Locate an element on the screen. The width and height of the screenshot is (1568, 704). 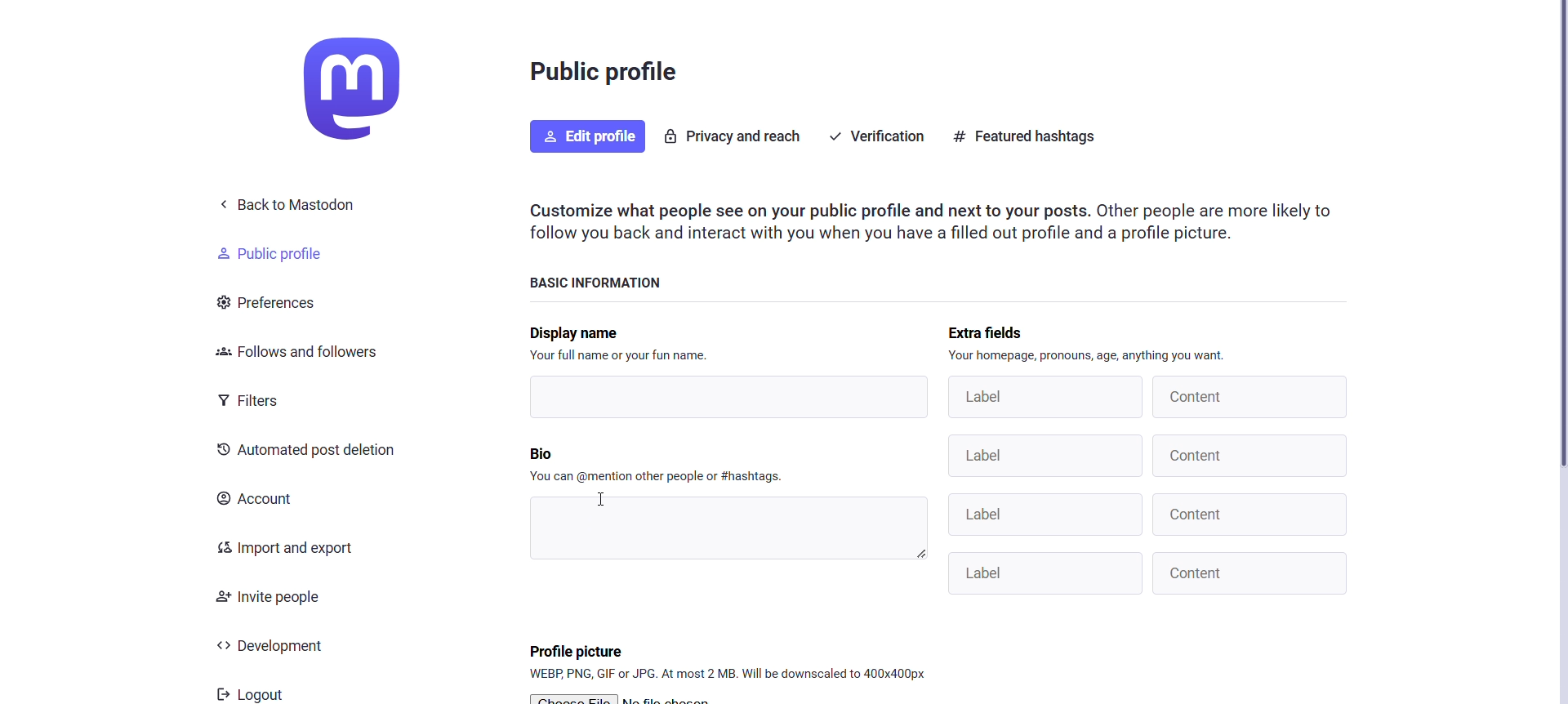
content is located at coordinates (1252, 397).